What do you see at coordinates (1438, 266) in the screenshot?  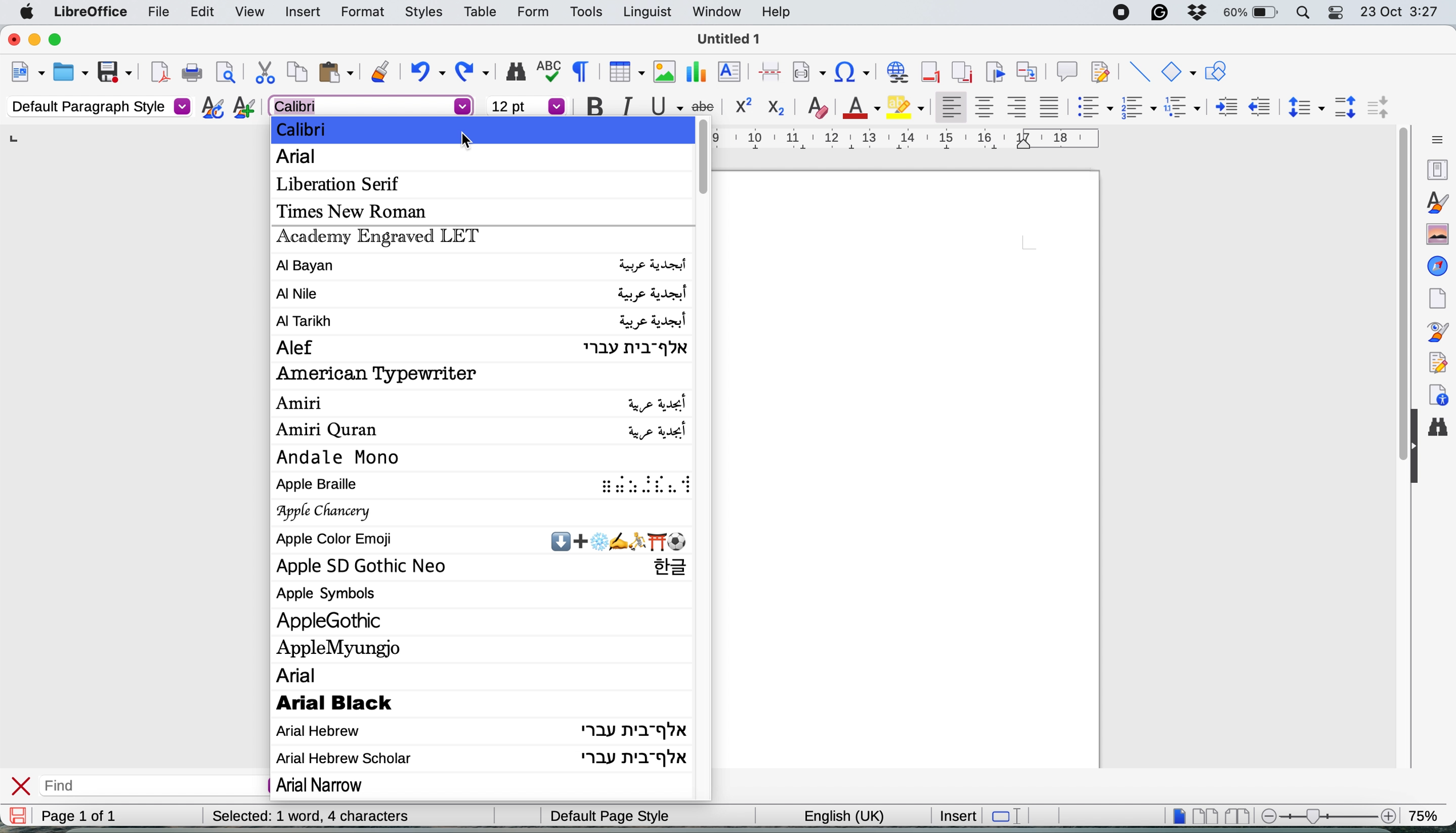 I see `navigator` at bounding box center [1438, 266].